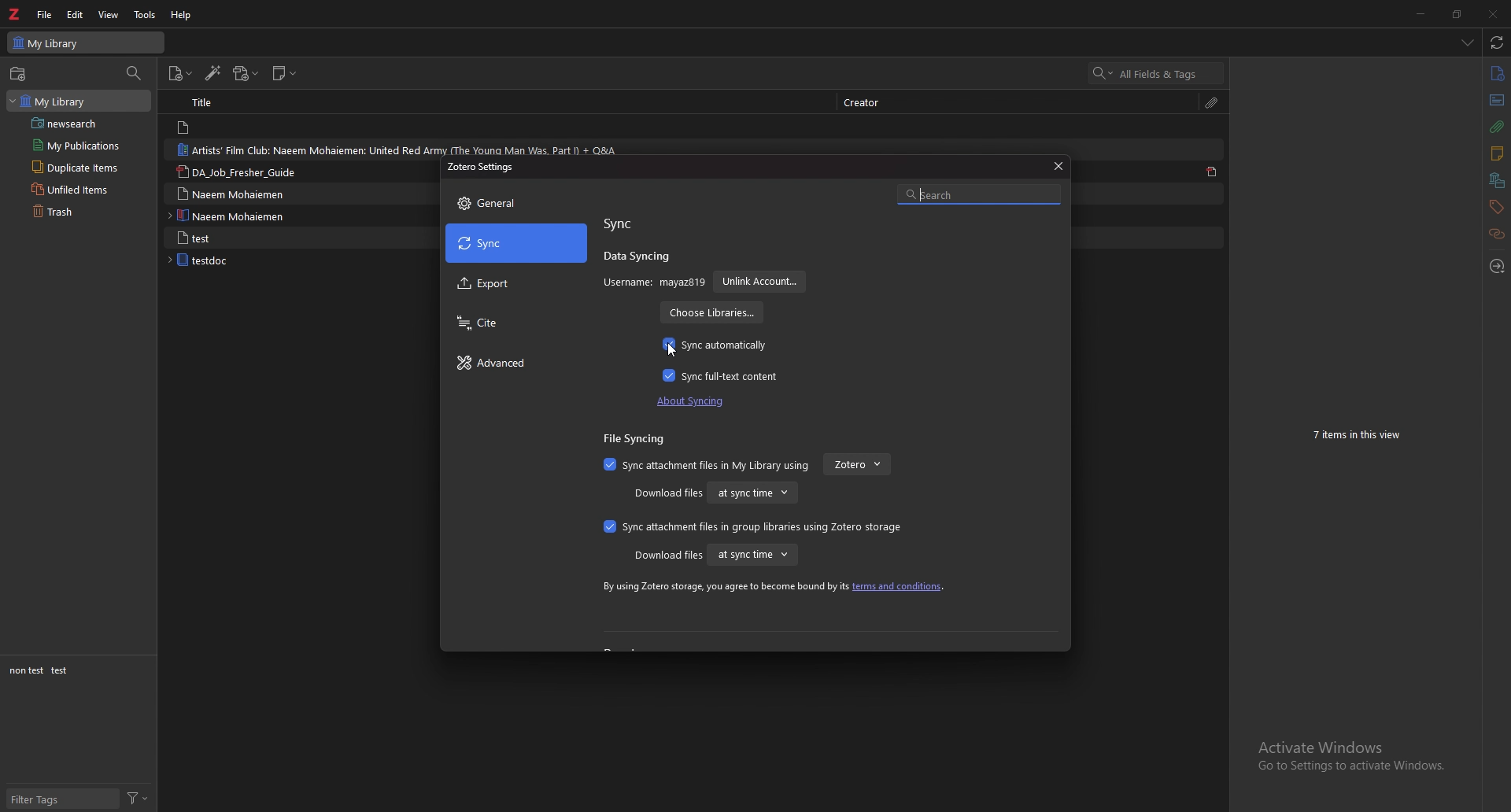 The height and width of the screenshot is (812, 1511). I want to click on general, so click(516, 203).